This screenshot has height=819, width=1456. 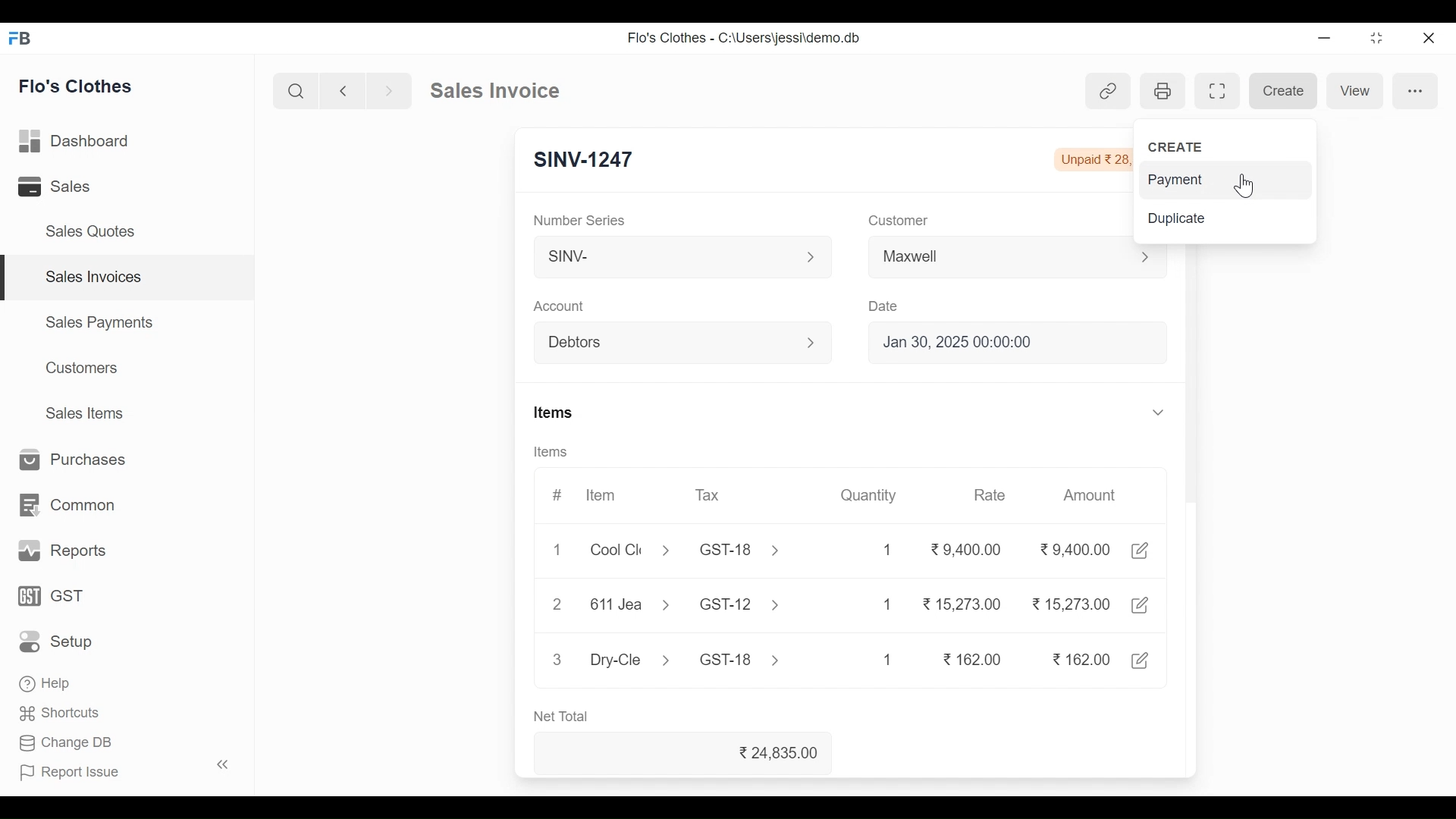 What do you see at coordinates (557, 549) in the screenshot?
I see `1` at bounding box center [557, 549].